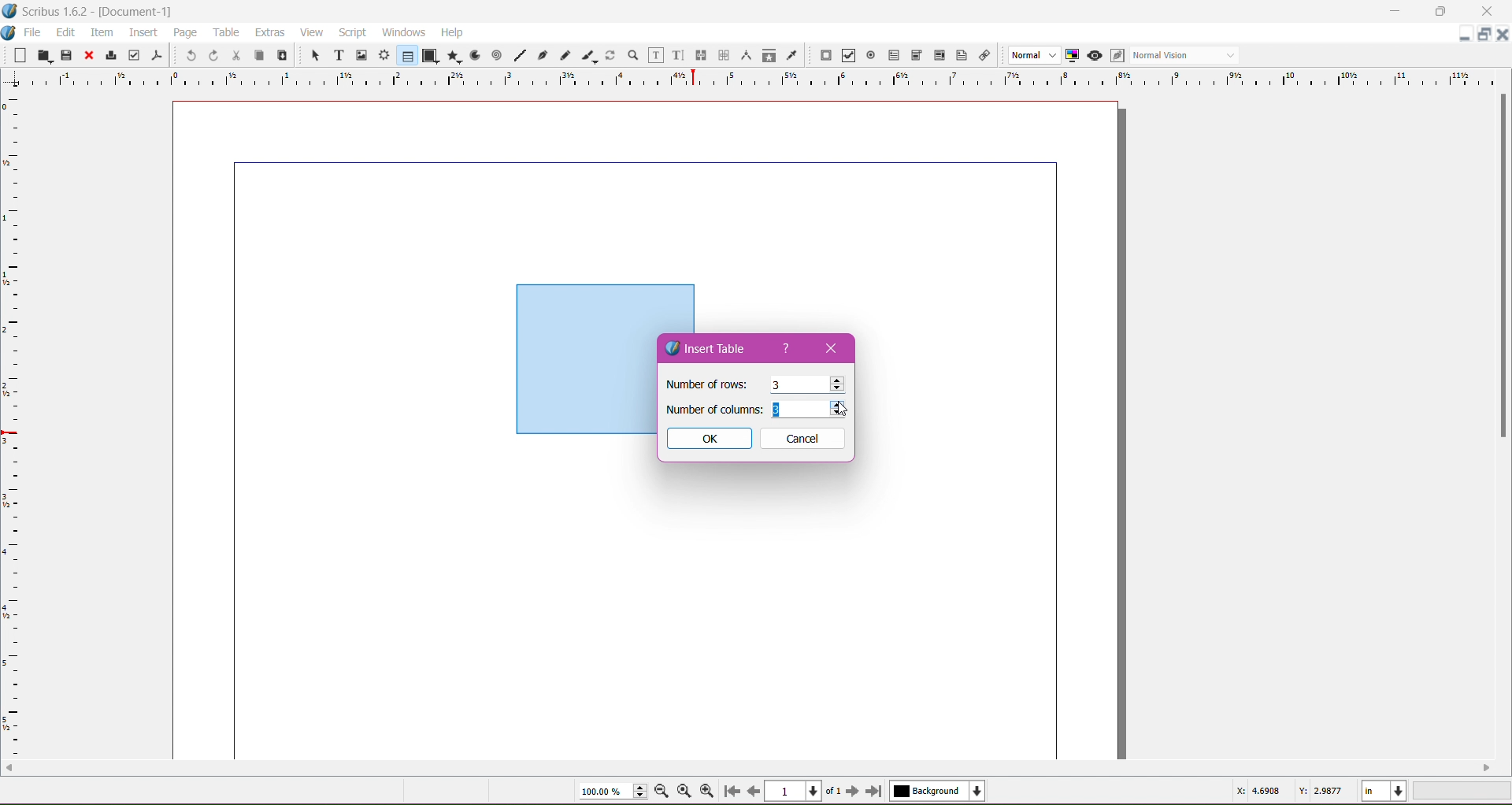 Image resolution: width=1512 pixels, height=805 pixels. I want to click on Text Frame, so click(335, 55).